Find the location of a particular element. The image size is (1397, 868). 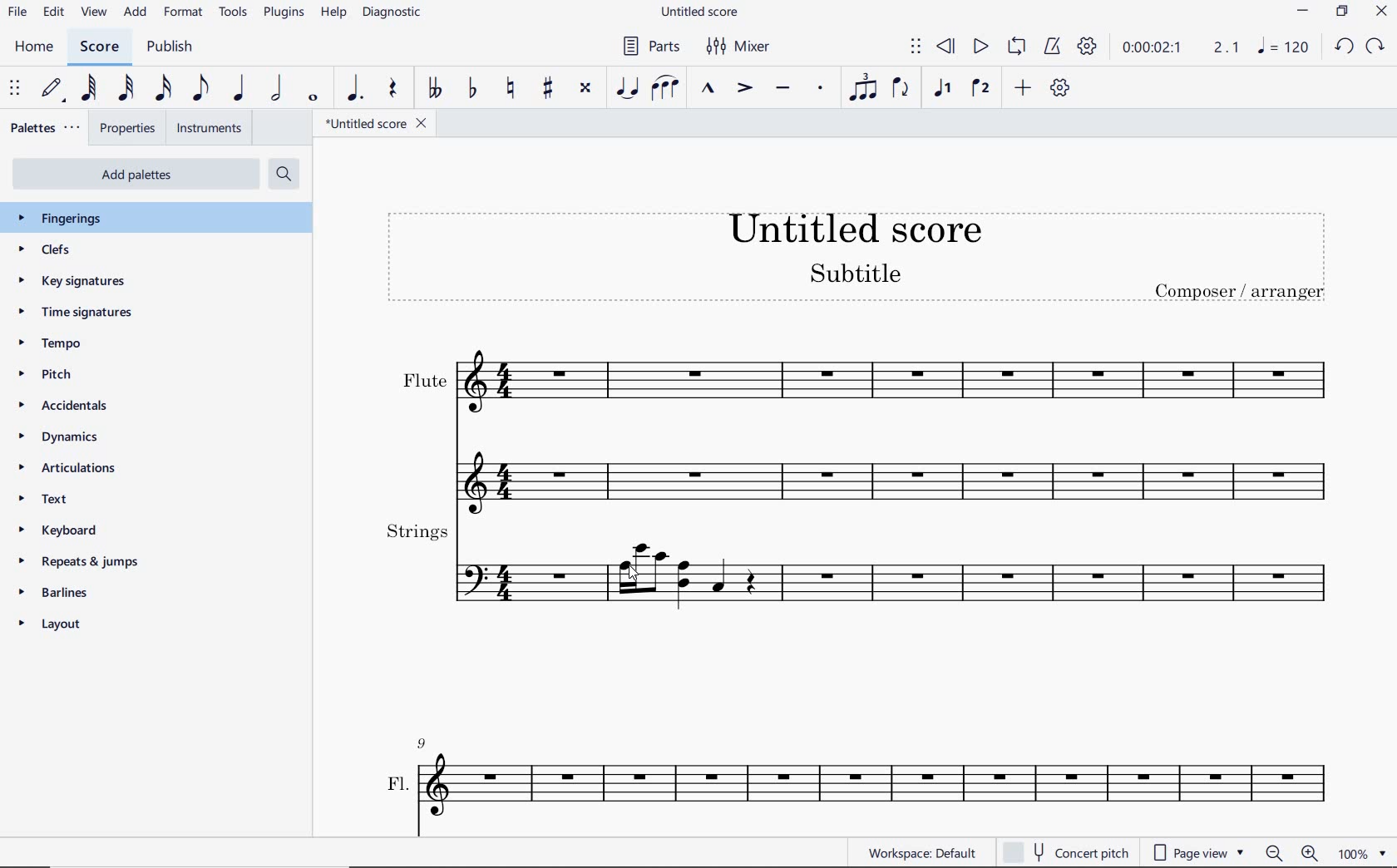

text is located at coordinates (49, 500).